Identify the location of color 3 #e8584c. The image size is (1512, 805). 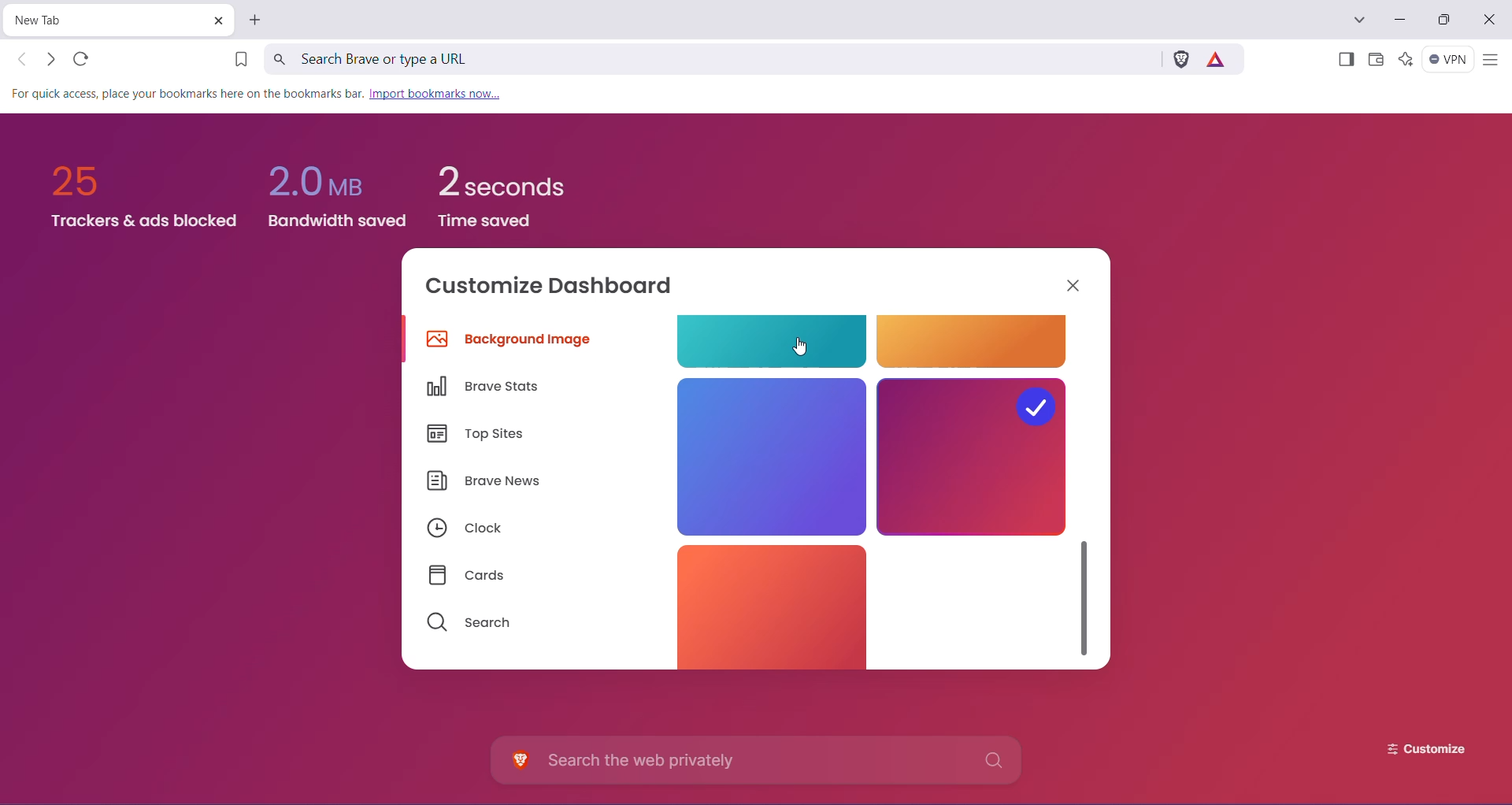
(765, 606).